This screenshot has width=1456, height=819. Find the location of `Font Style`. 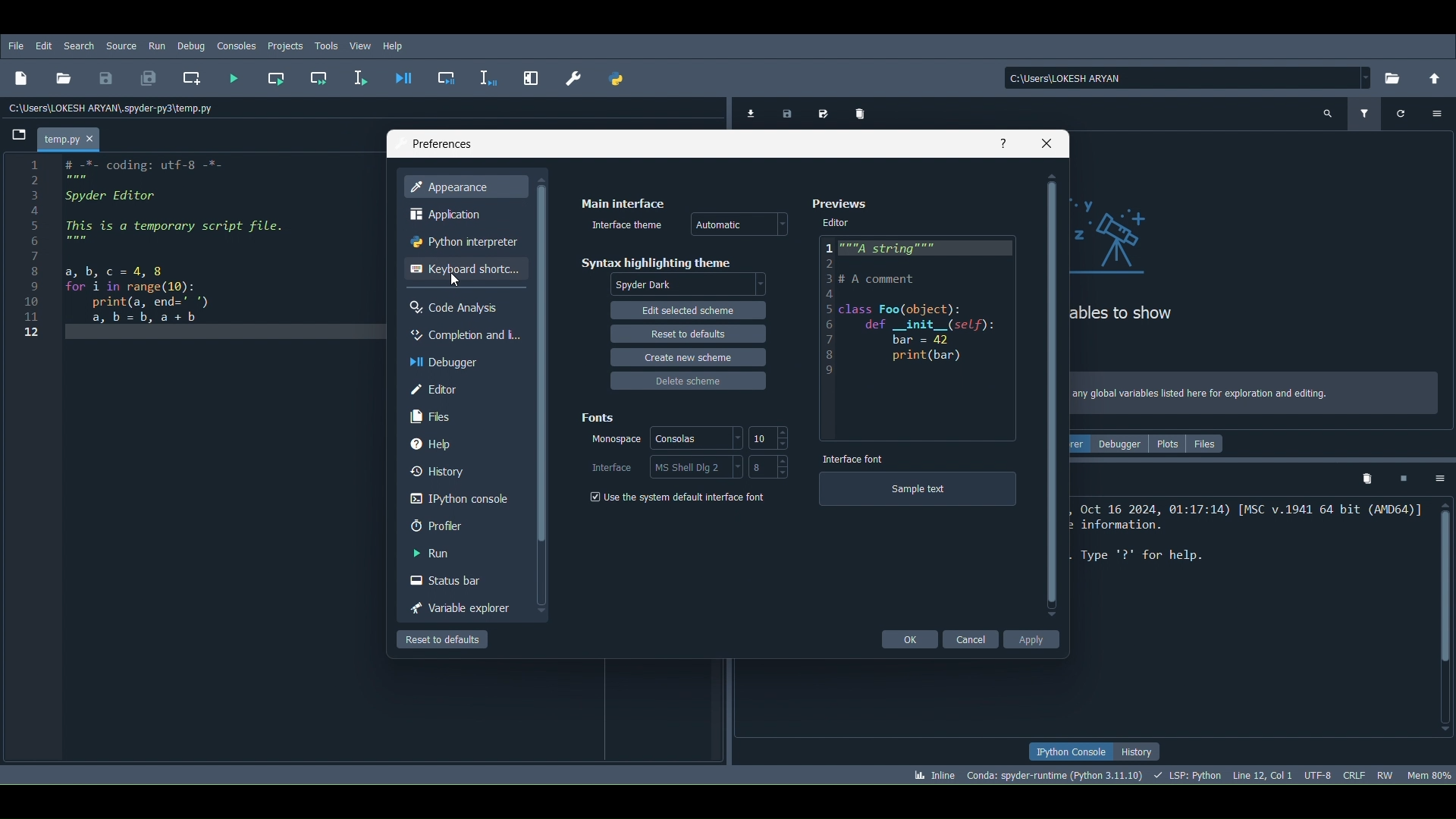

Font Style is located at coordinates (609, 441).